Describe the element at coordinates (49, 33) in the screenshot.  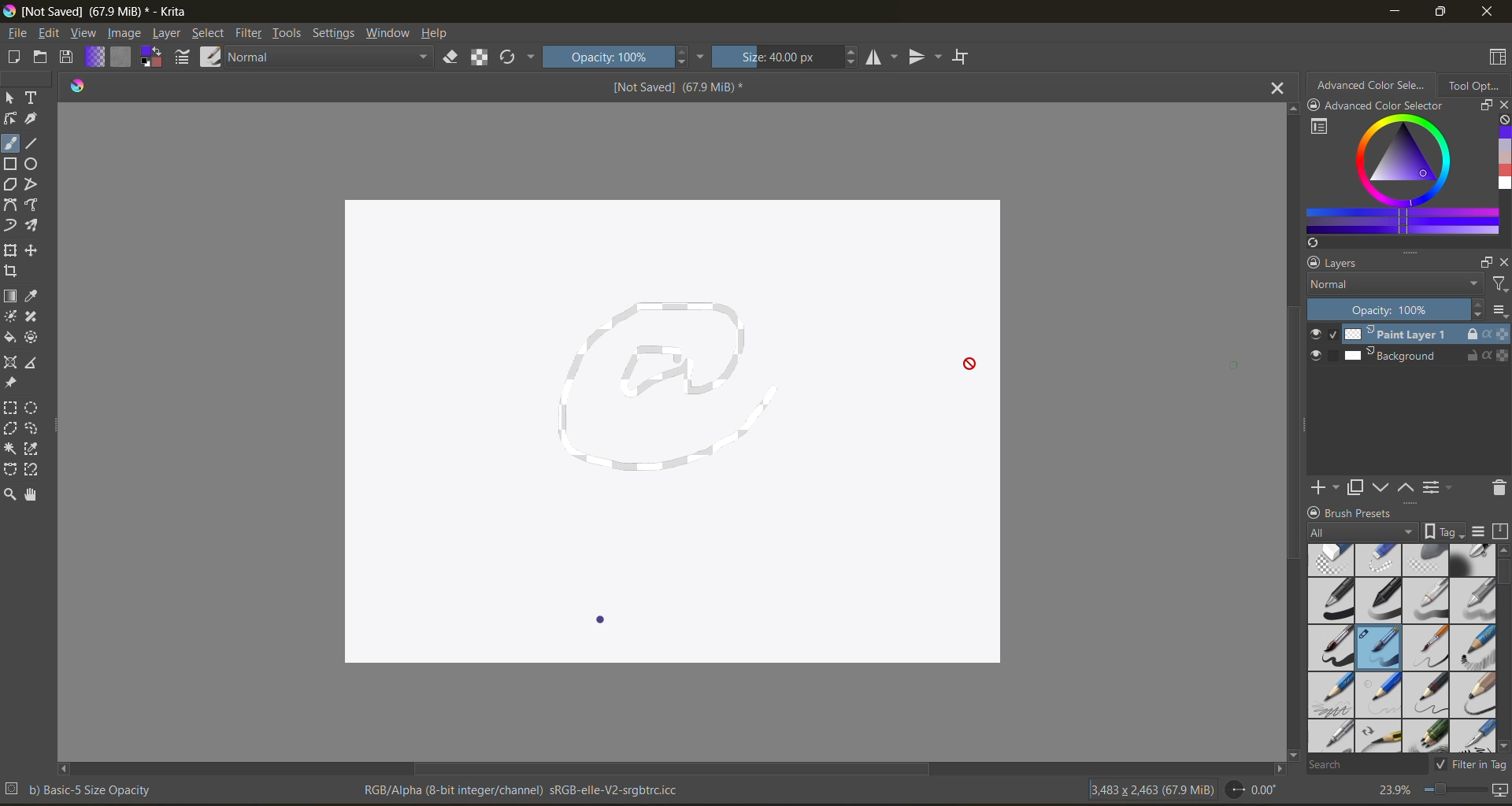
I see `edit` at that location.